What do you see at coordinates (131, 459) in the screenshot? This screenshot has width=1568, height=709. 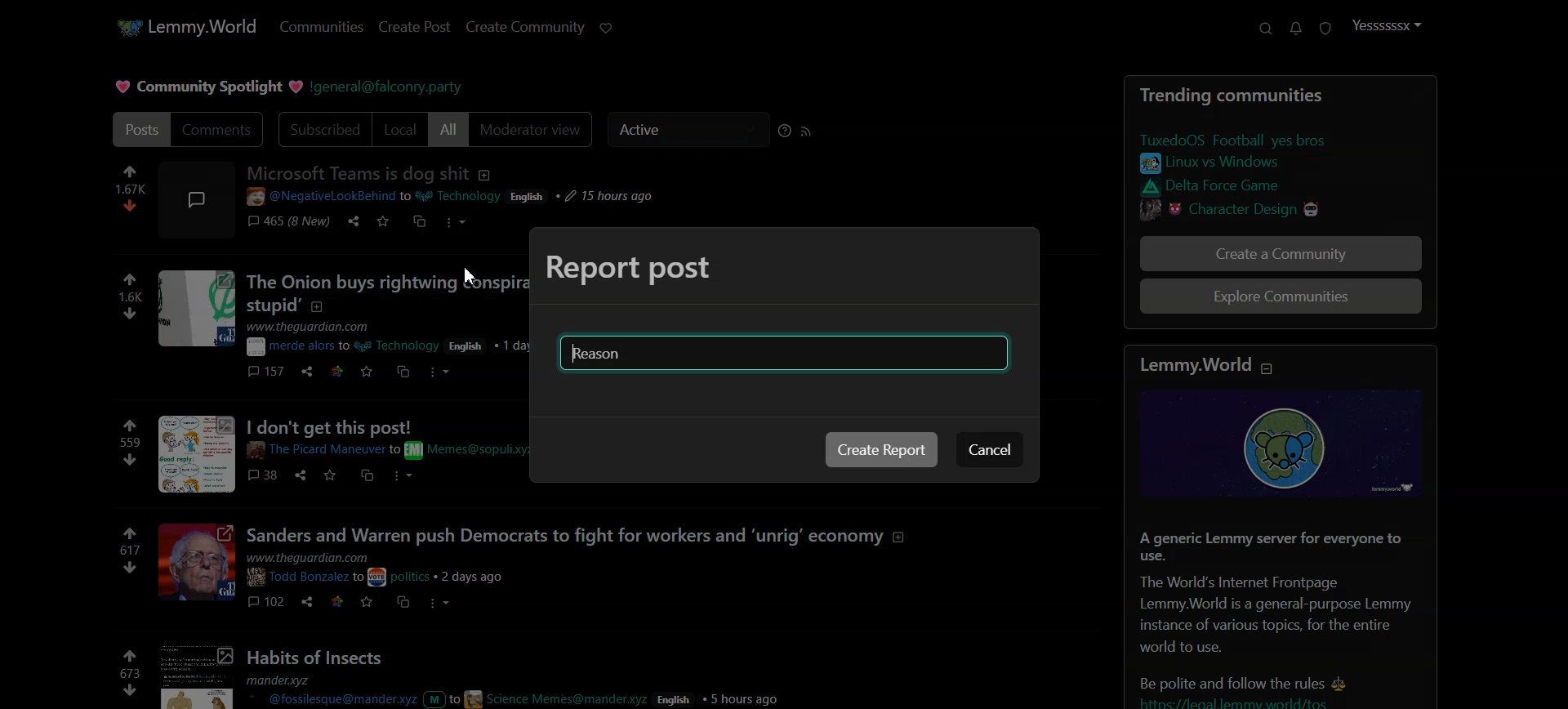 I see `dislike` at bounding box center [131, 459].